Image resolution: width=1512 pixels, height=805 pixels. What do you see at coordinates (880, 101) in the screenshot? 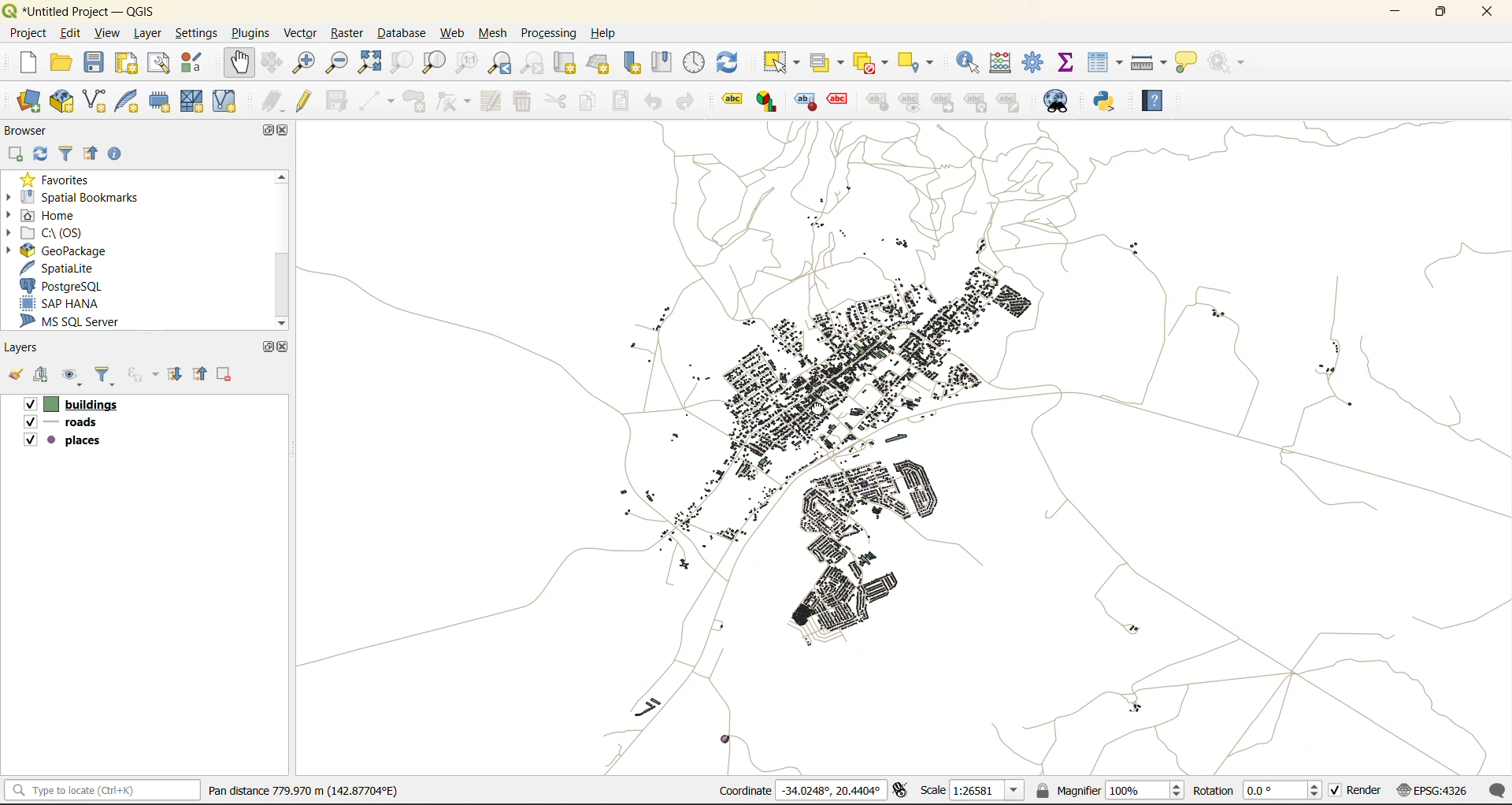
I see `style` at bounding box center [880, 101].